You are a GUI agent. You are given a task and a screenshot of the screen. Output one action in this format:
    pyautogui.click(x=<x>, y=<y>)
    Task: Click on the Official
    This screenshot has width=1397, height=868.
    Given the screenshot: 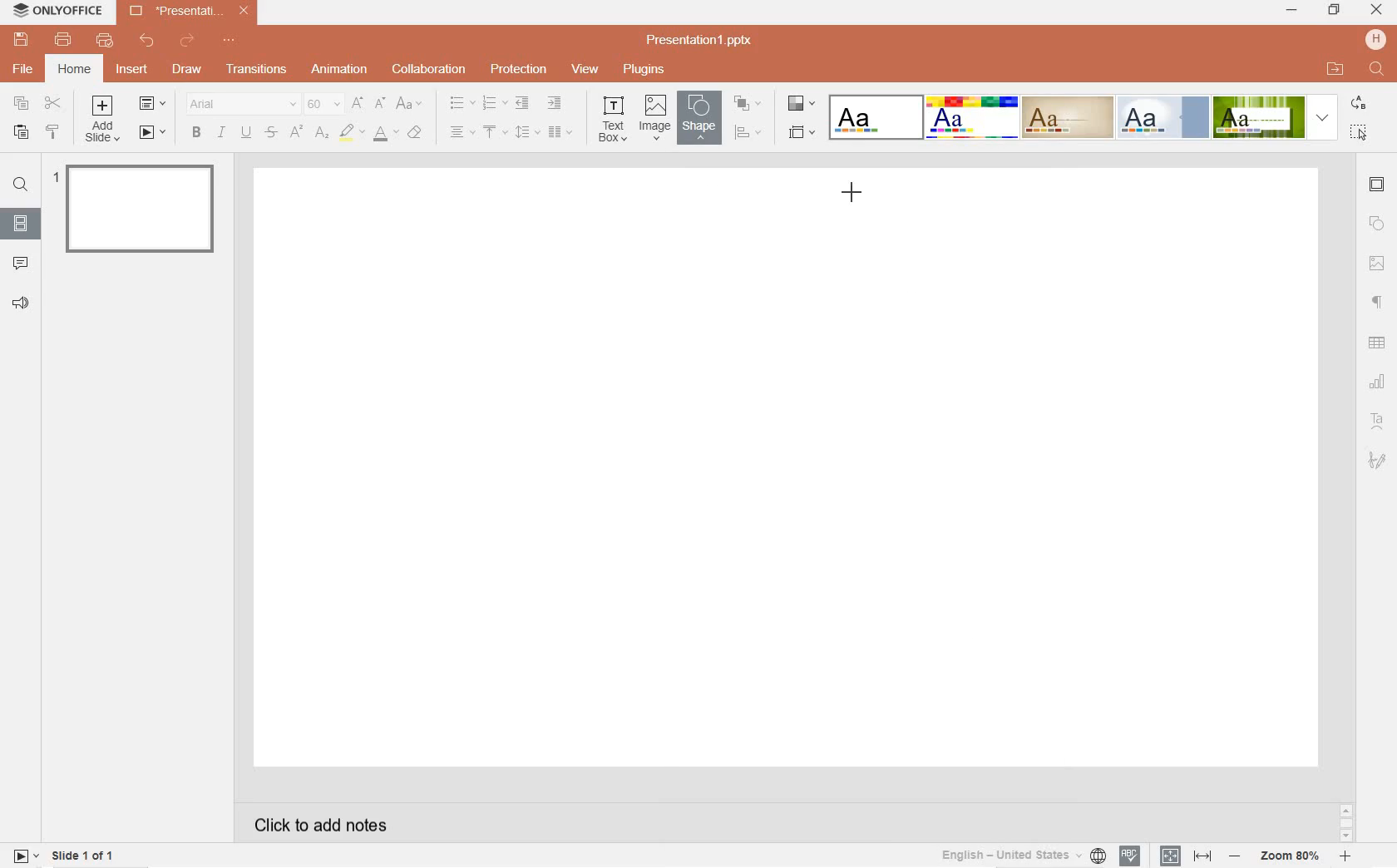 What is the action you would take?
    pyautogui.click(x=1163, y=117)
    